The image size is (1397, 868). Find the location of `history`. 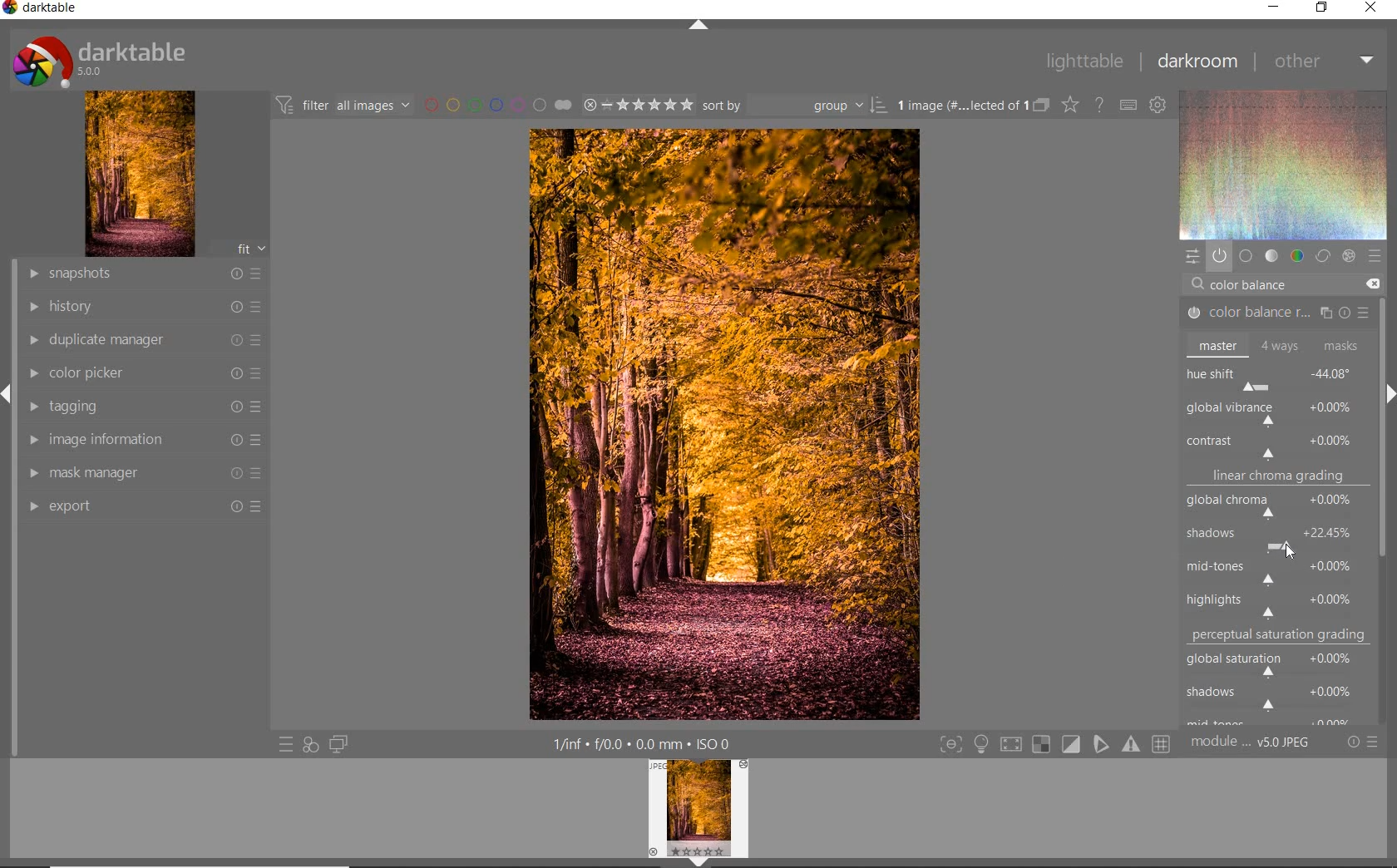

history is located at coordinates (144, 305).